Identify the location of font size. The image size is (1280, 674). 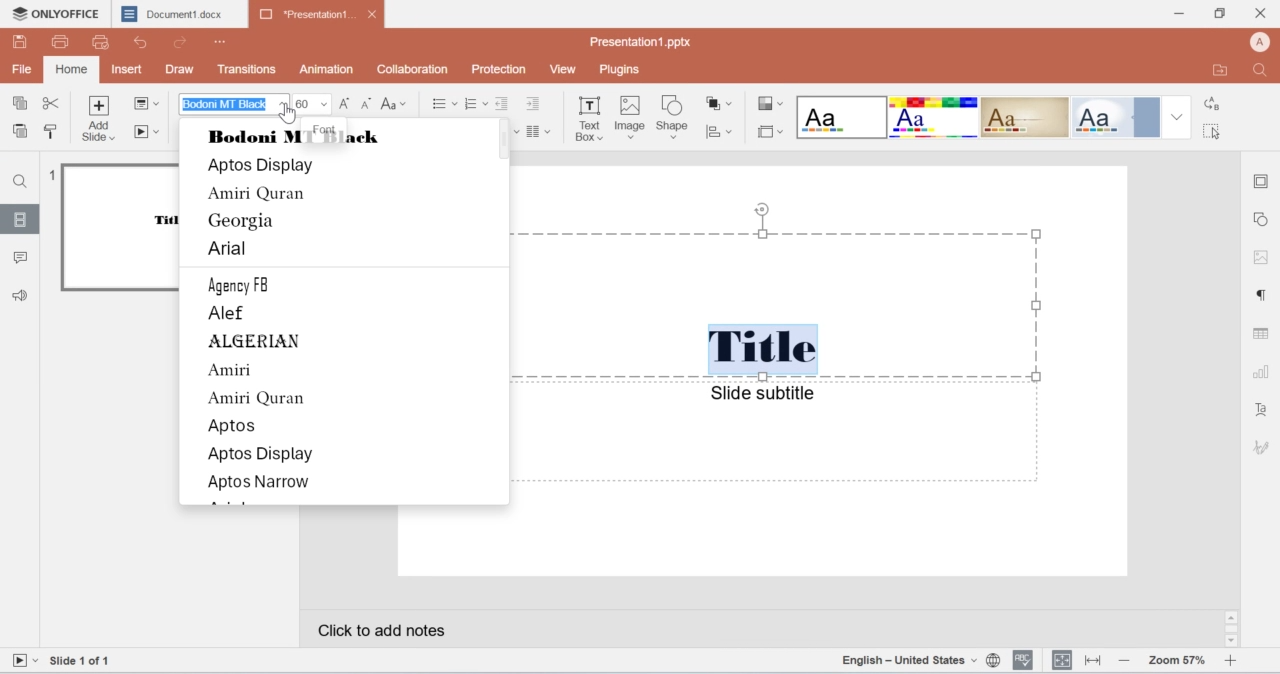
(314, 103).